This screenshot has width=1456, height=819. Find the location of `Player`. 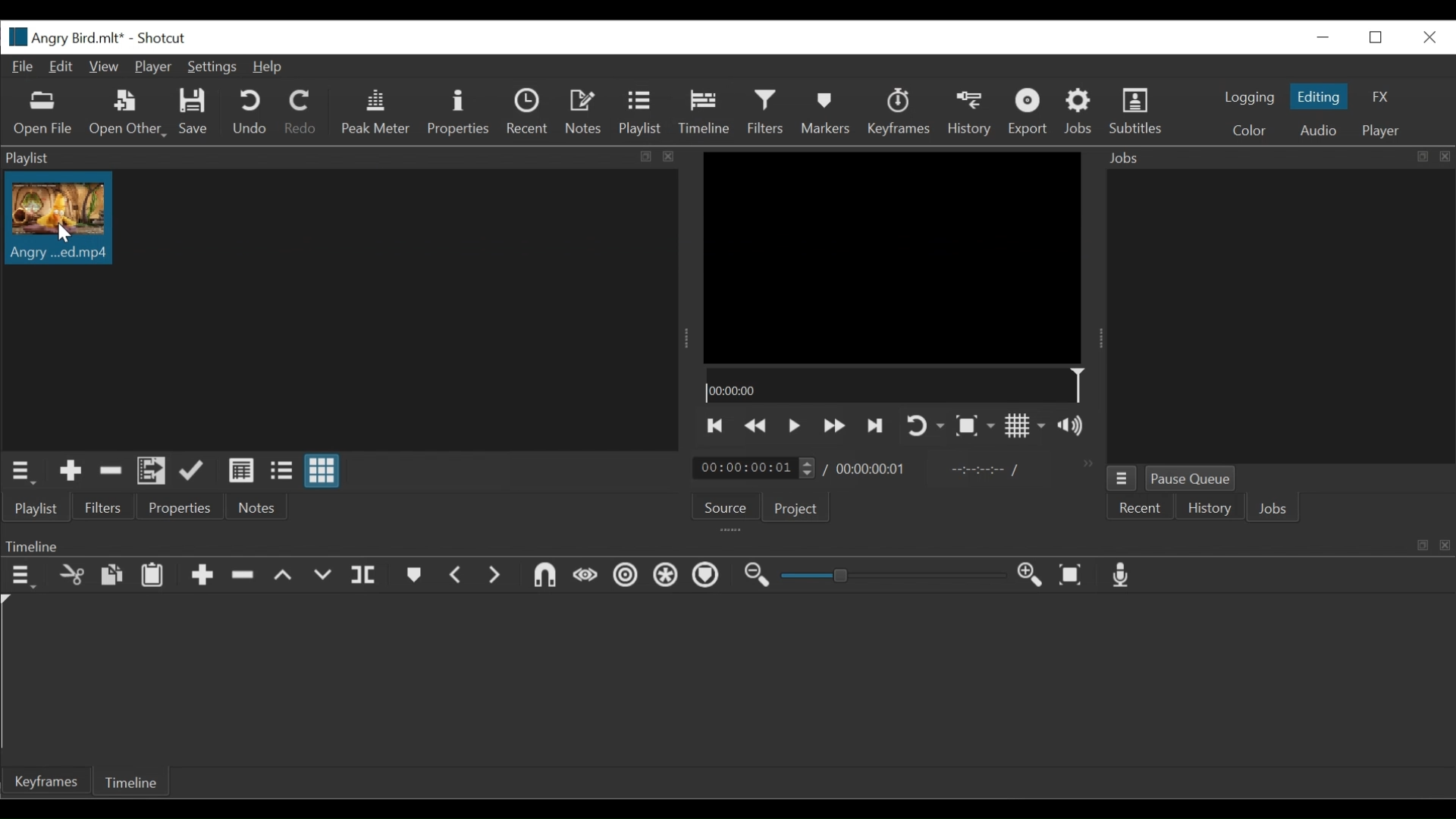

Player is located at coordinates (1382, 130).